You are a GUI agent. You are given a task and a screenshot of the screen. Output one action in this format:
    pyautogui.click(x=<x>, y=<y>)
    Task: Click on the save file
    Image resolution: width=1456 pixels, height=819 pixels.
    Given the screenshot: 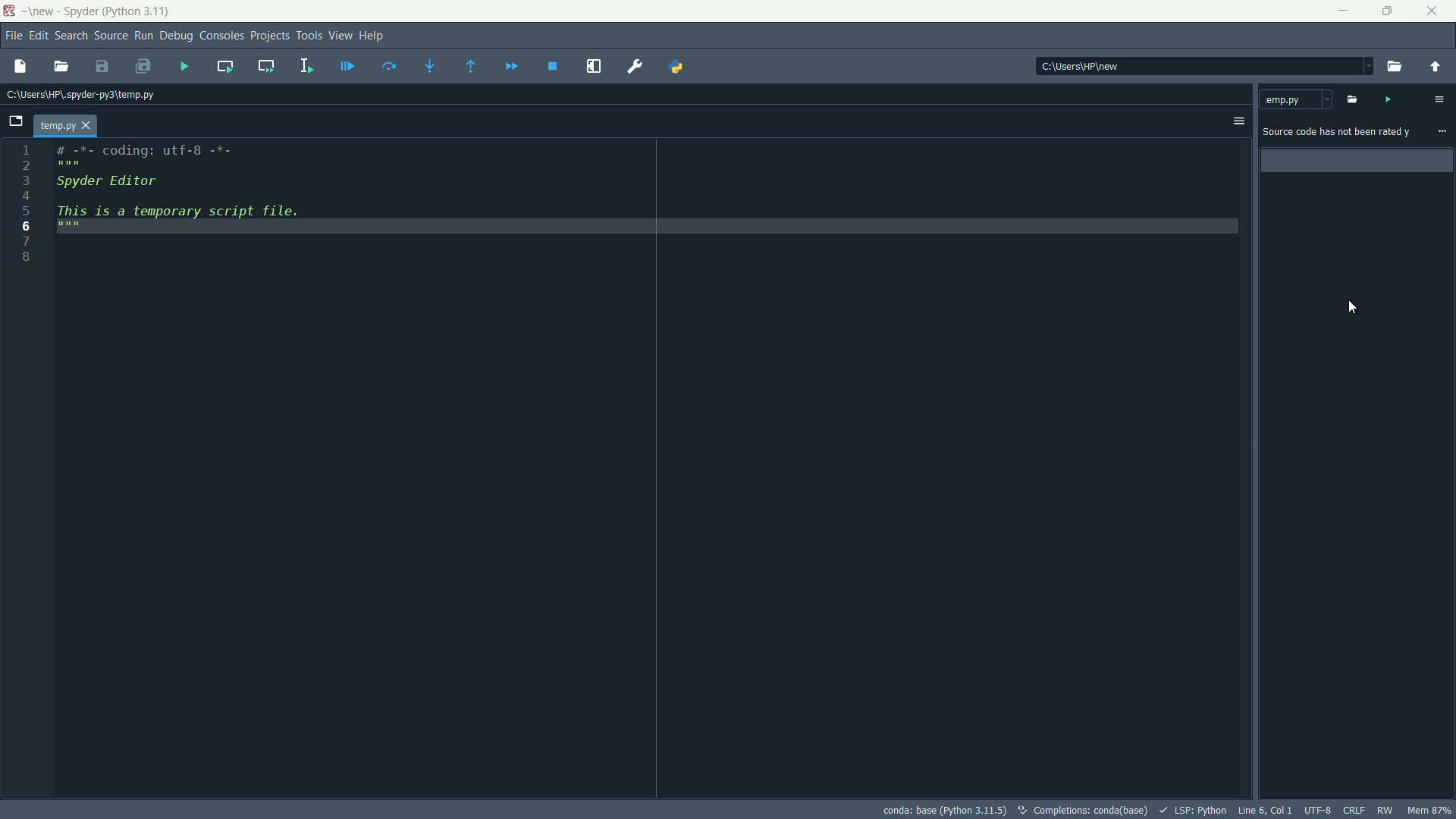 What is the action you would take?
    pyautogui.click(x=102, y=66)
    